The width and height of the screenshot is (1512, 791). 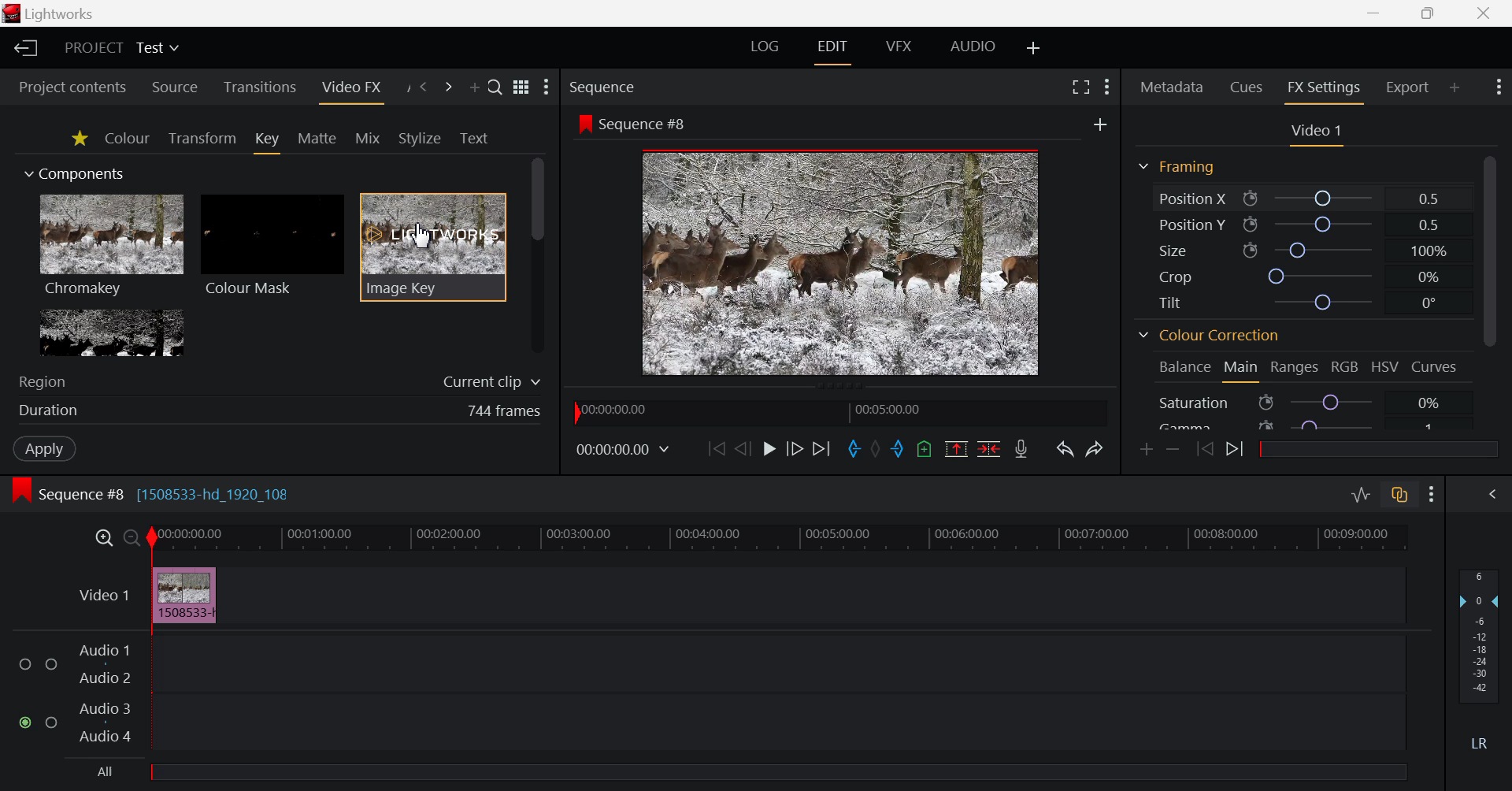 I want to click on Metadata, so click(x=1172, y=88).